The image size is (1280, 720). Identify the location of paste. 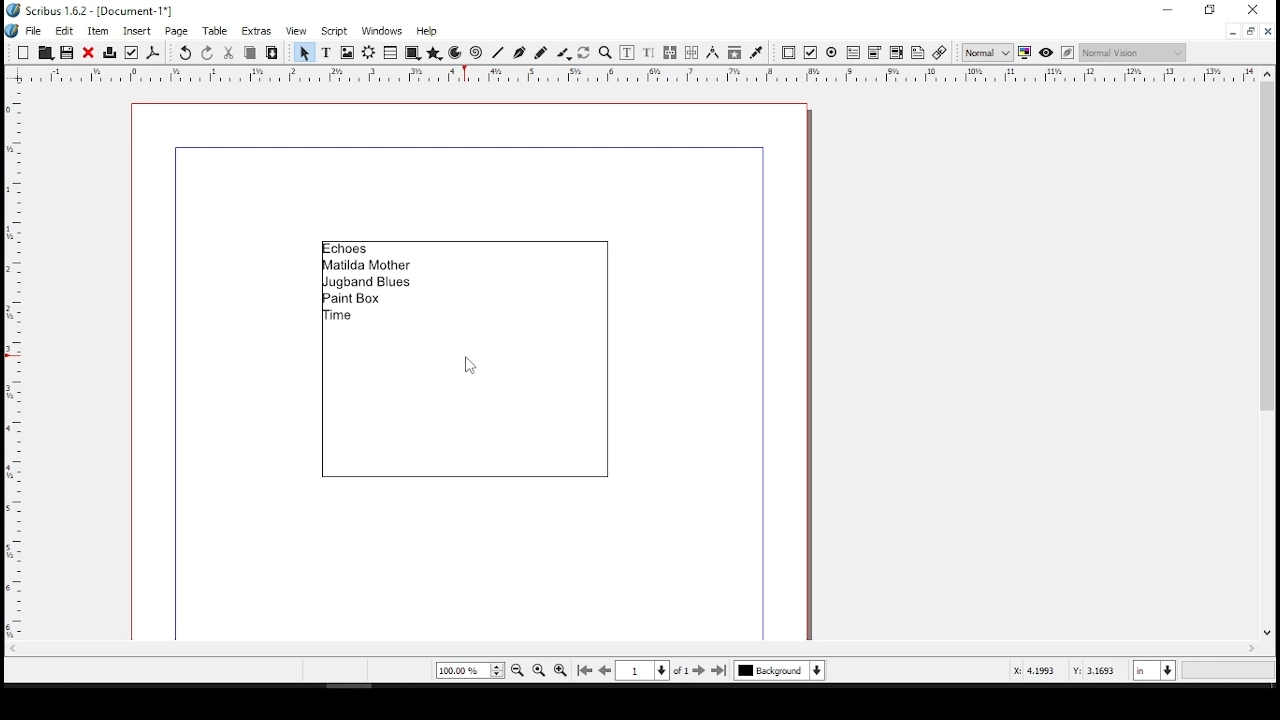
(273, 53).